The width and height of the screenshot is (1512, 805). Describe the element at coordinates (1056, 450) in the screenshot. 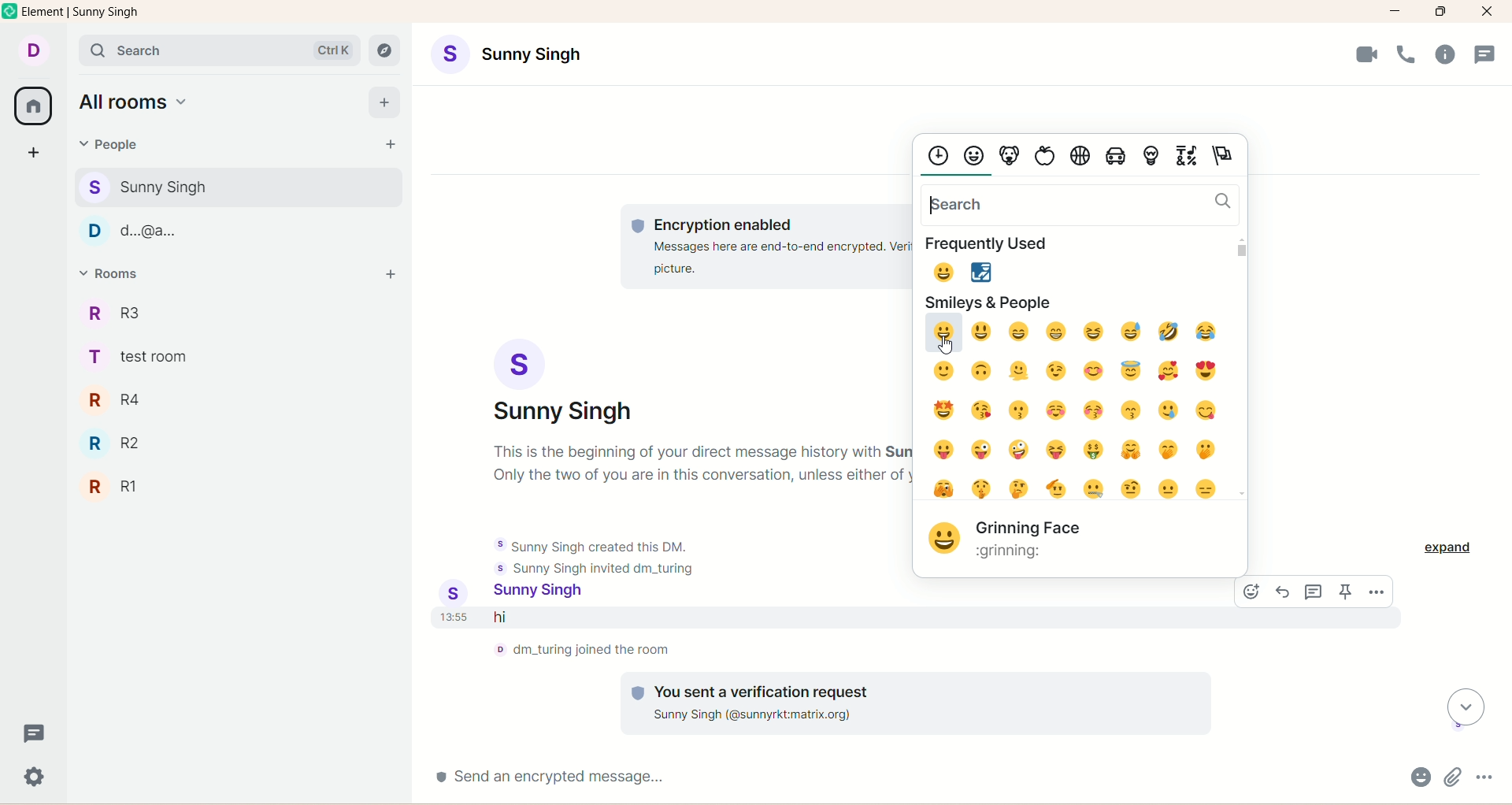

I see `Squinting face with open mouth` at that location.